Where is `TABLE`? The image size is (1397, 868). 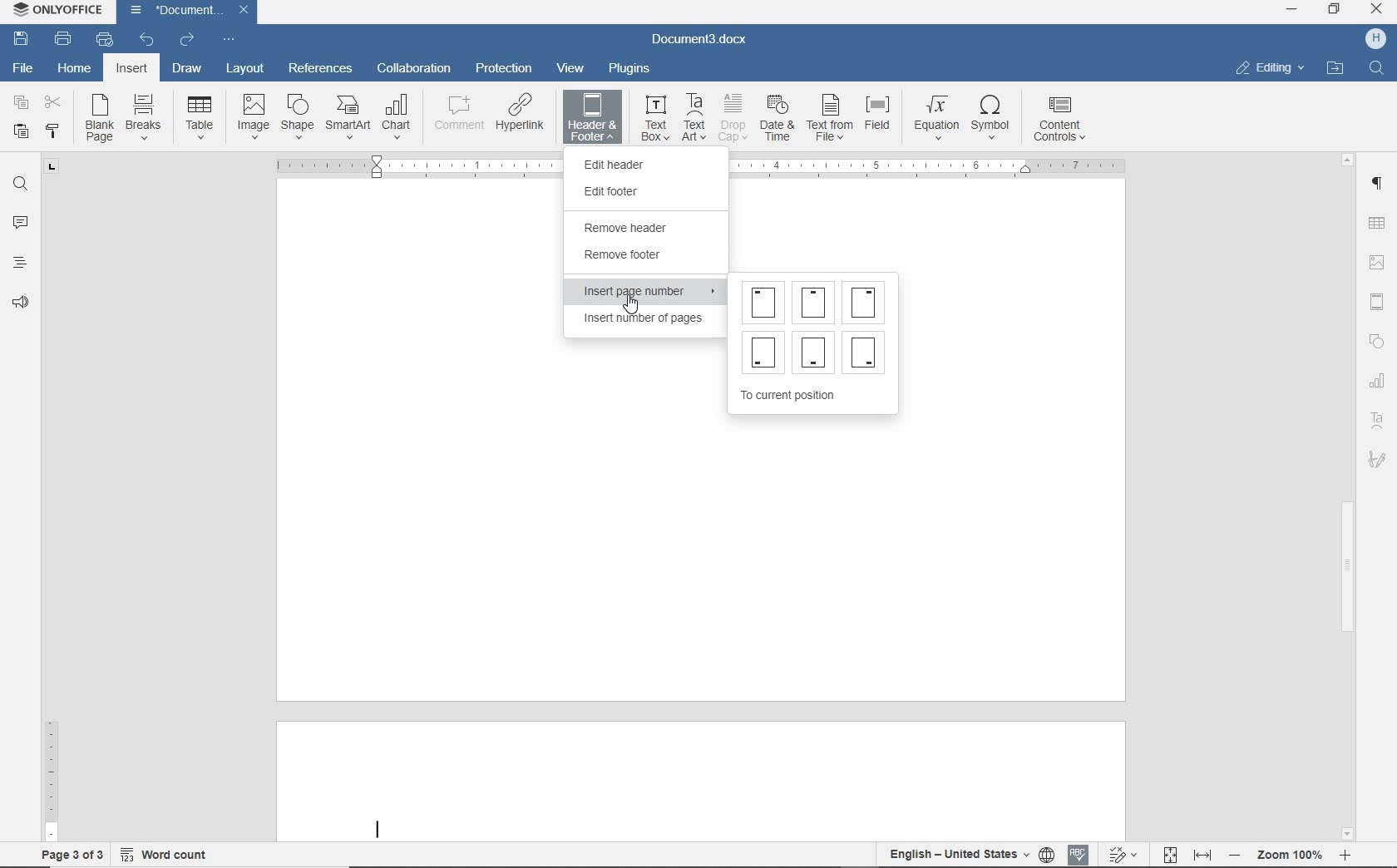
TABLE is located at coordinates (200, 118).